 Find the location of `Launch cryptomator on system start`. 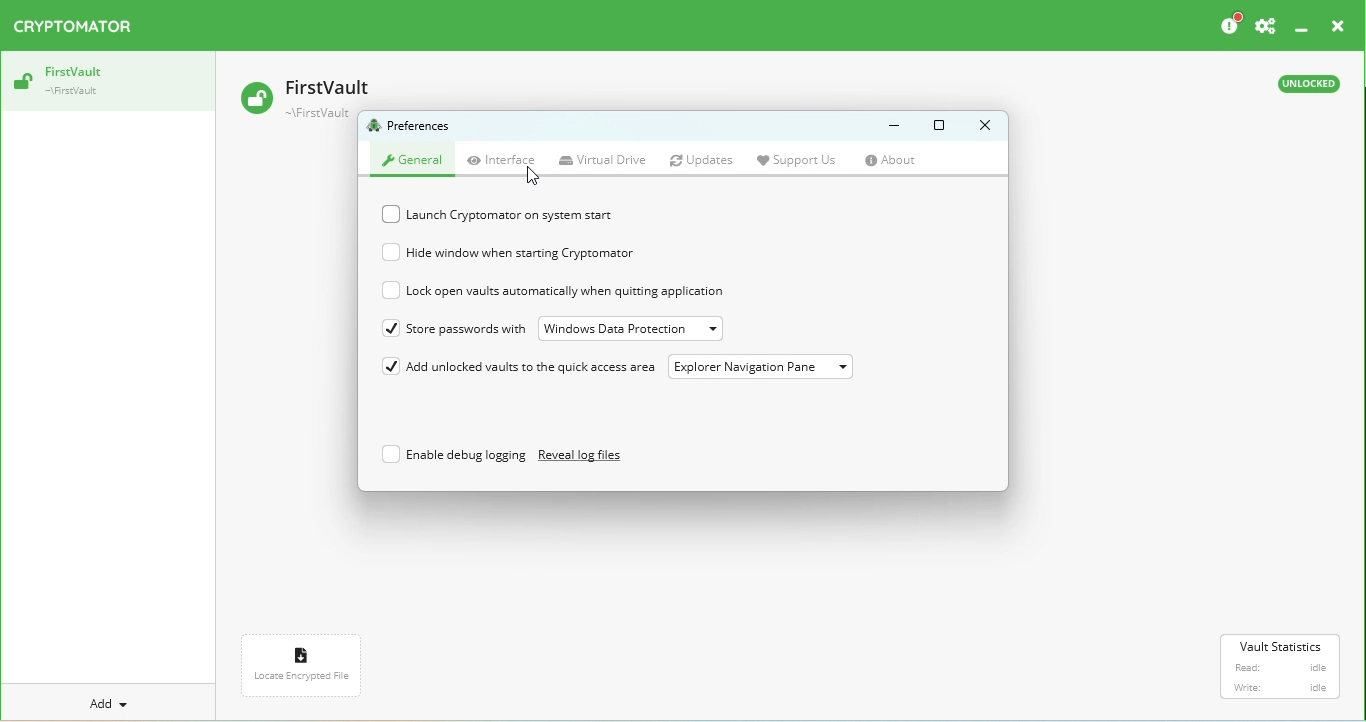

Launch cryptomator on system start is located at coordinates (506, 216).